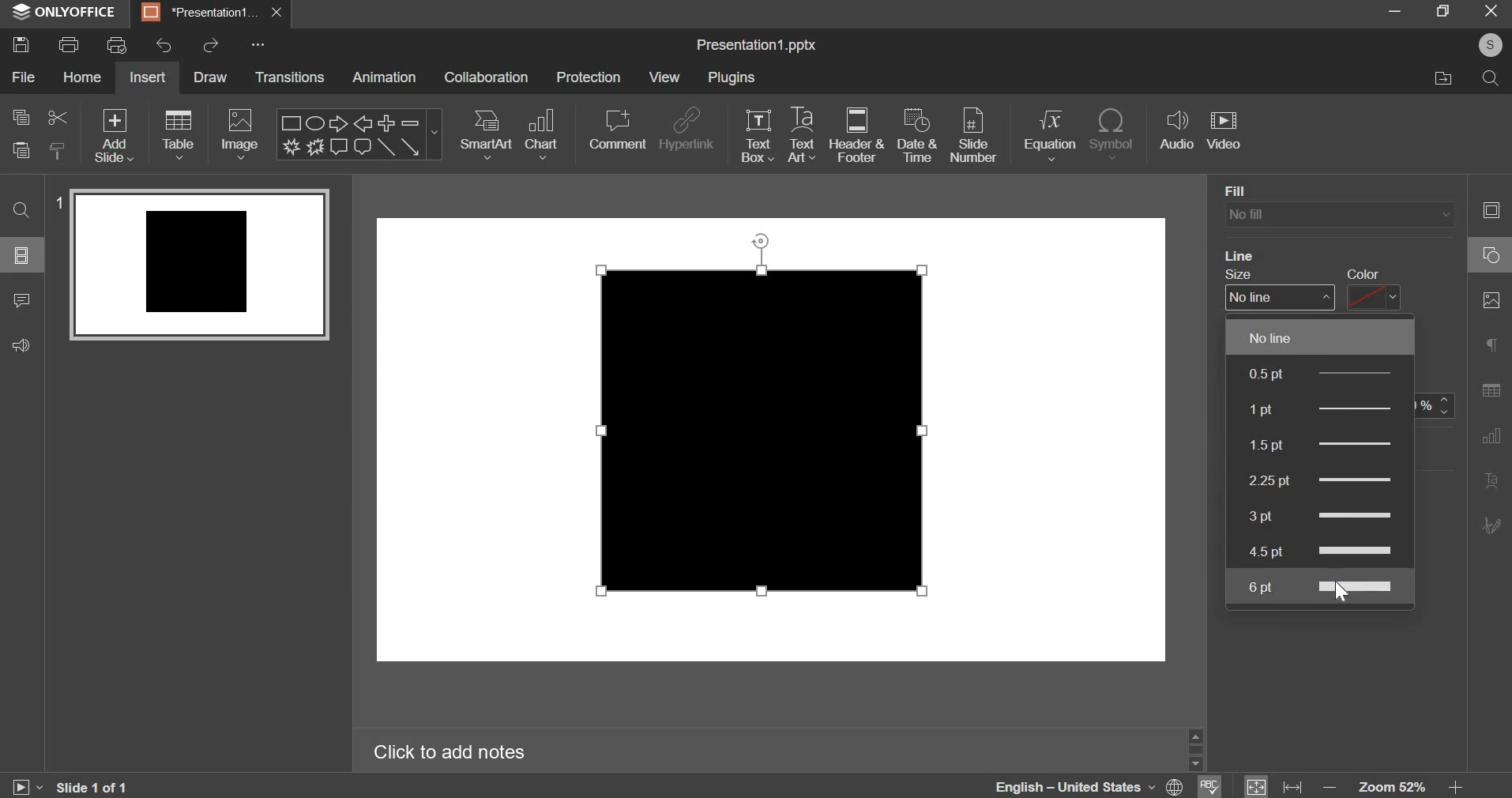  I want to click on insert, so click(148, 78).